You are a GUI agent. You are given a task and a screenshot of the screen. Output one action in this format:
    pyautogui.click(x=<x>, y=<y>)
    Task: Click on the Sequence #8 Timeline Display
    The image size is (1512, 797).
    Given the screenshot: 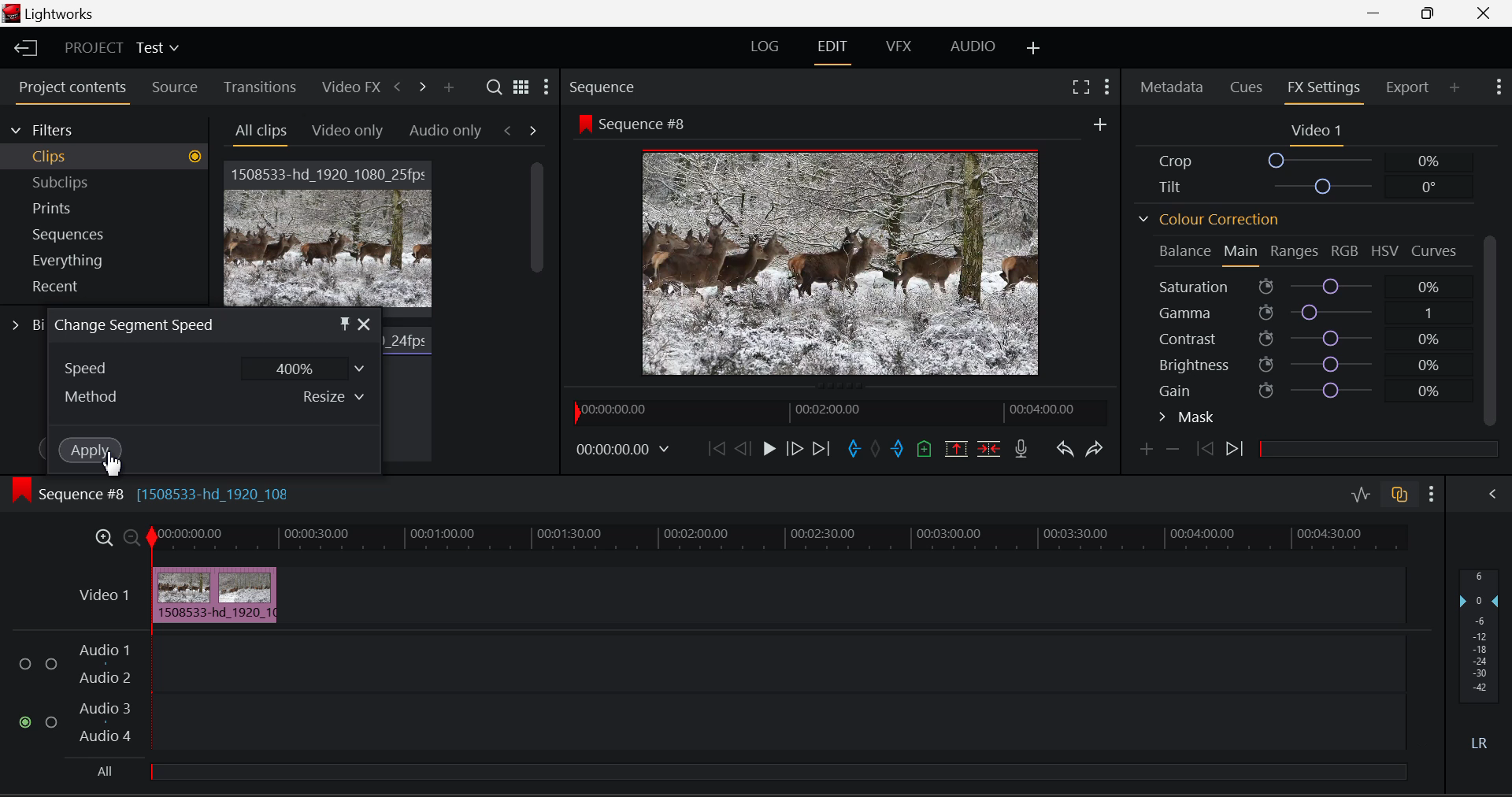 What is the action you would take?
    pyautogui.click(x=65, y=495)
    